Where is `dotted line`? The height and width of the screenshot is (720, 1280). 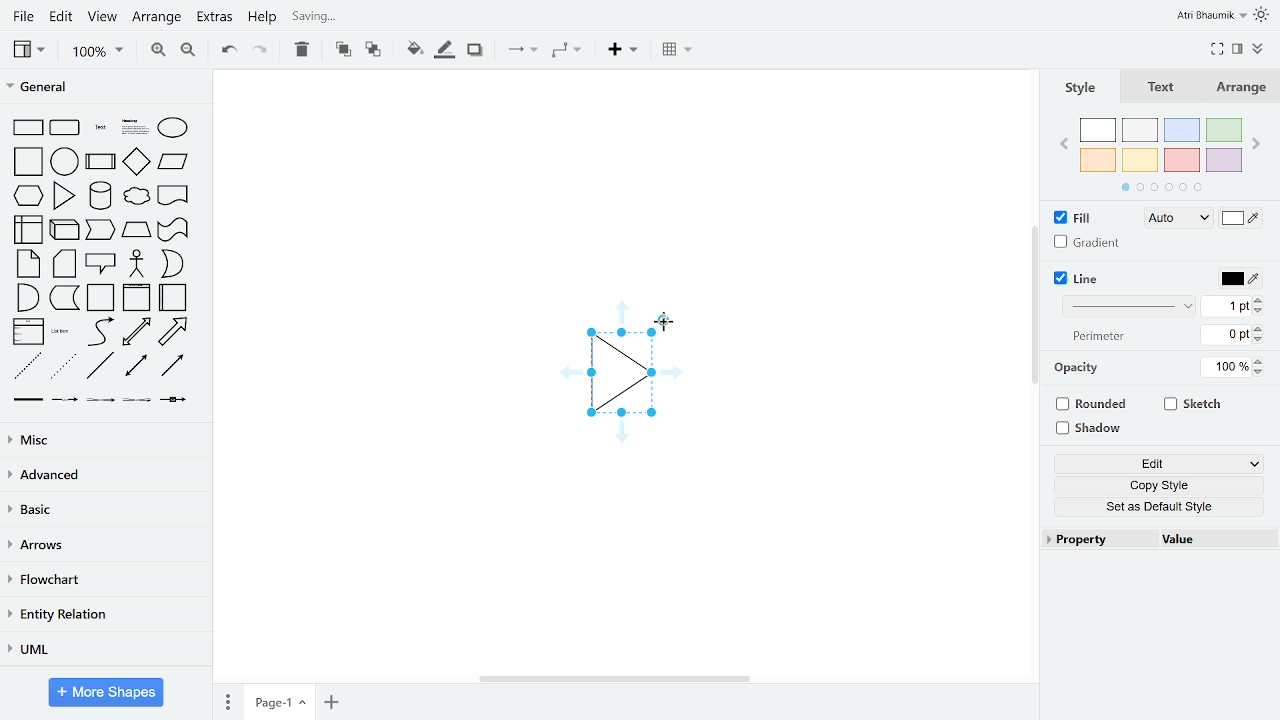 dotted line is located at coordinates (65, 367).